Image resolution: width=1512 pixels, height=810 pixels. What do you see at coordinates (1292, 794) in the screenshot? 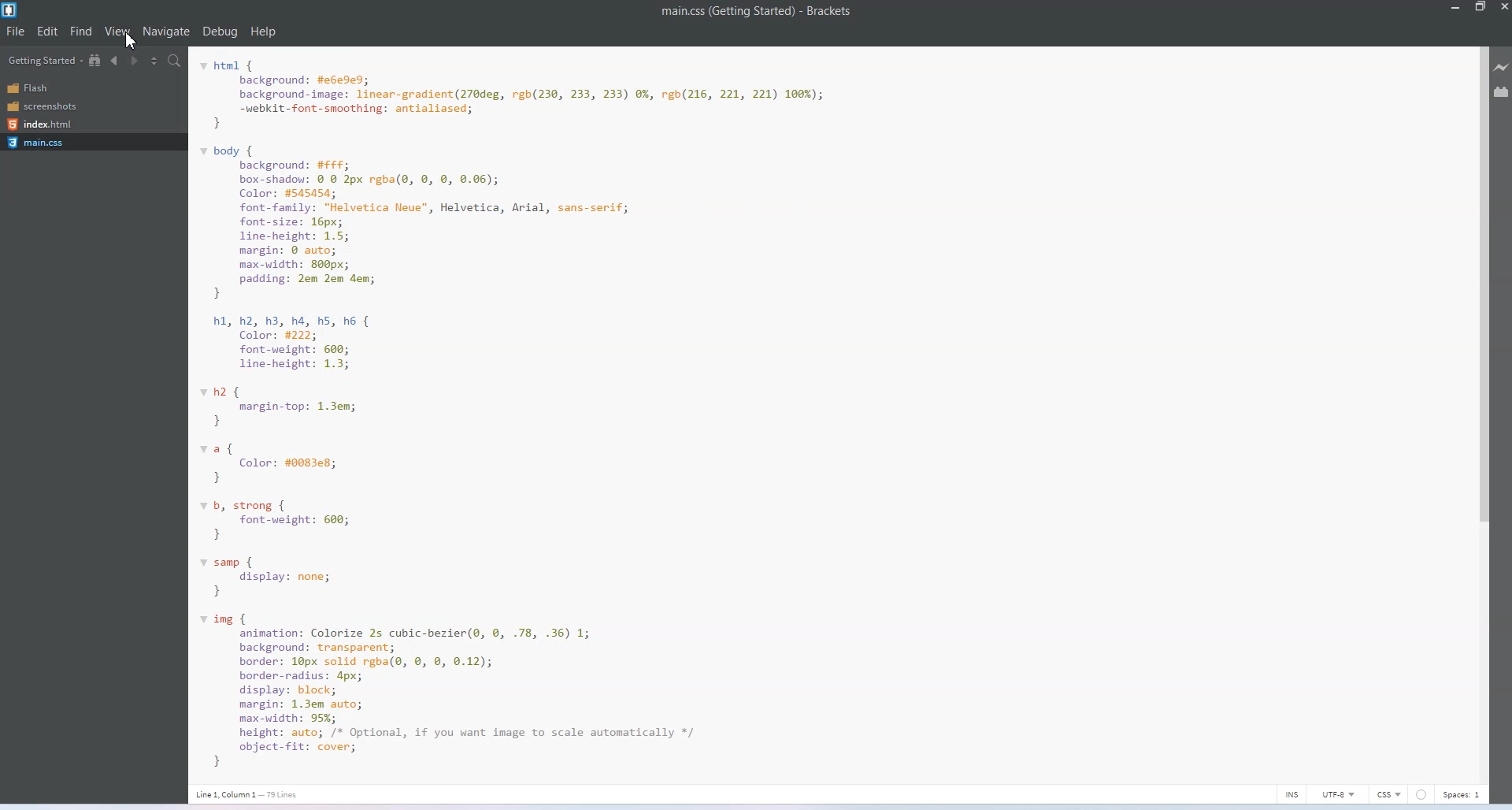
I see `INS` at bounding box center [1292, 794].